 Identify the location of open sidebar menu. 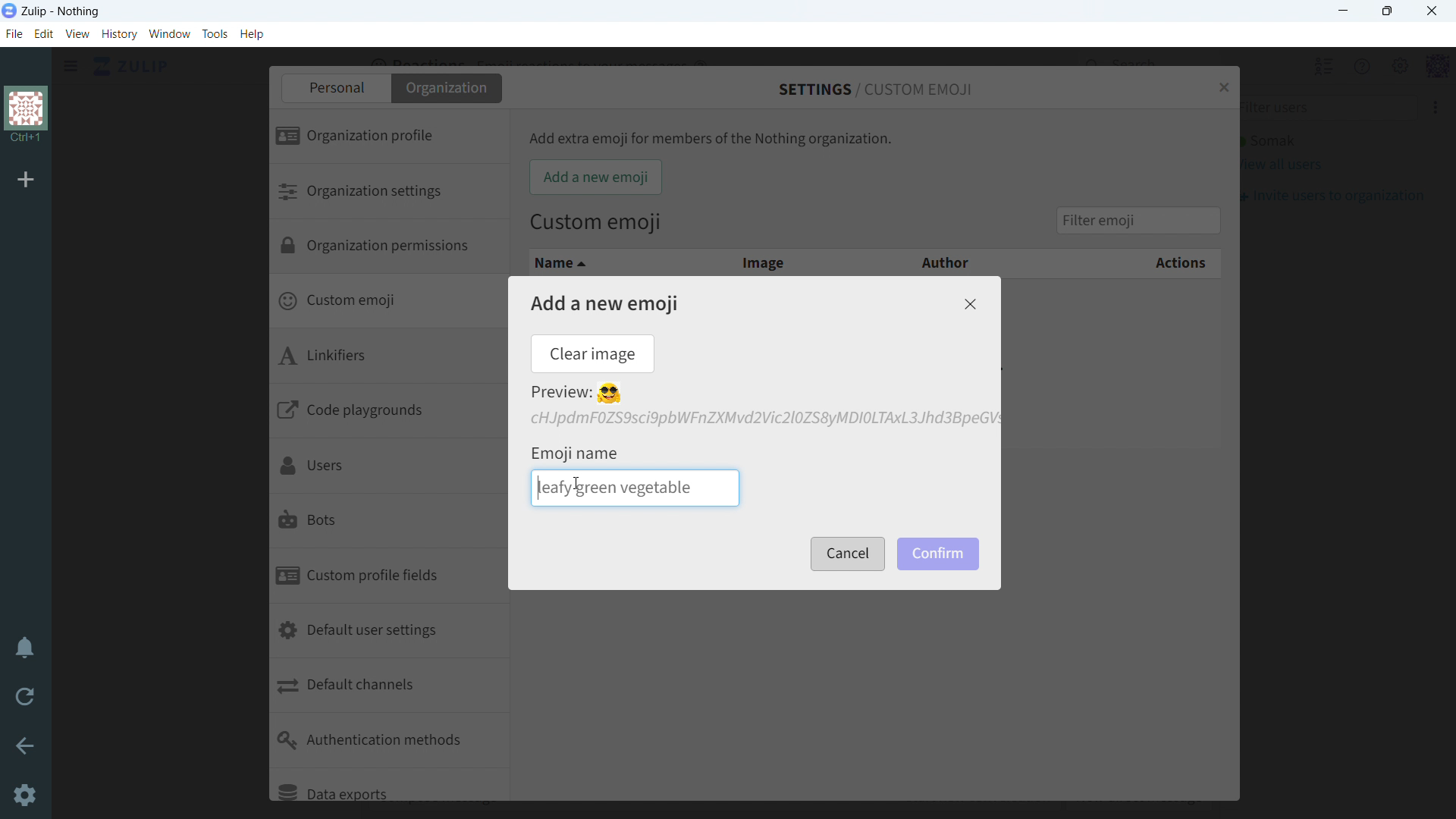
(71, 66).